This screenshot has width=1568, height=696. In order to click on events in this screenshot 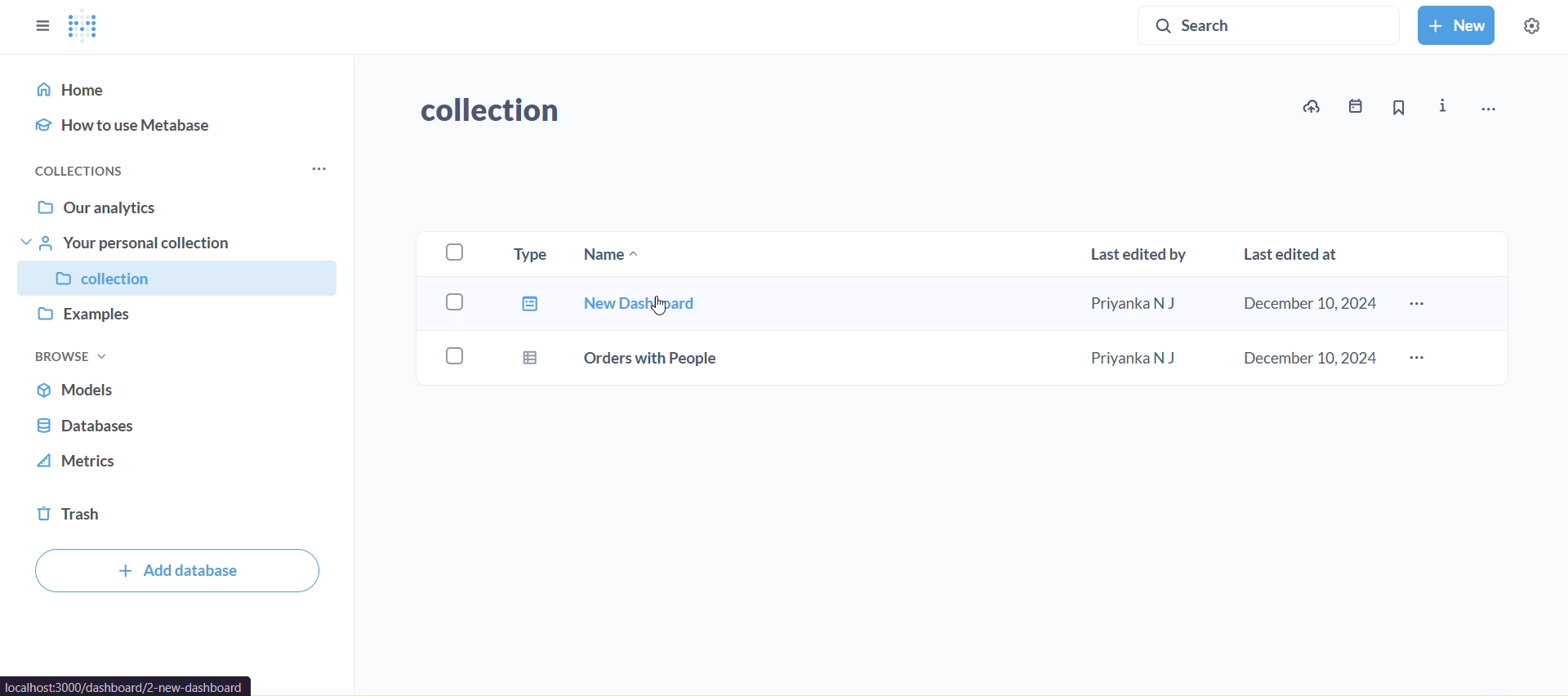, I will do `click(1355, 106)`.